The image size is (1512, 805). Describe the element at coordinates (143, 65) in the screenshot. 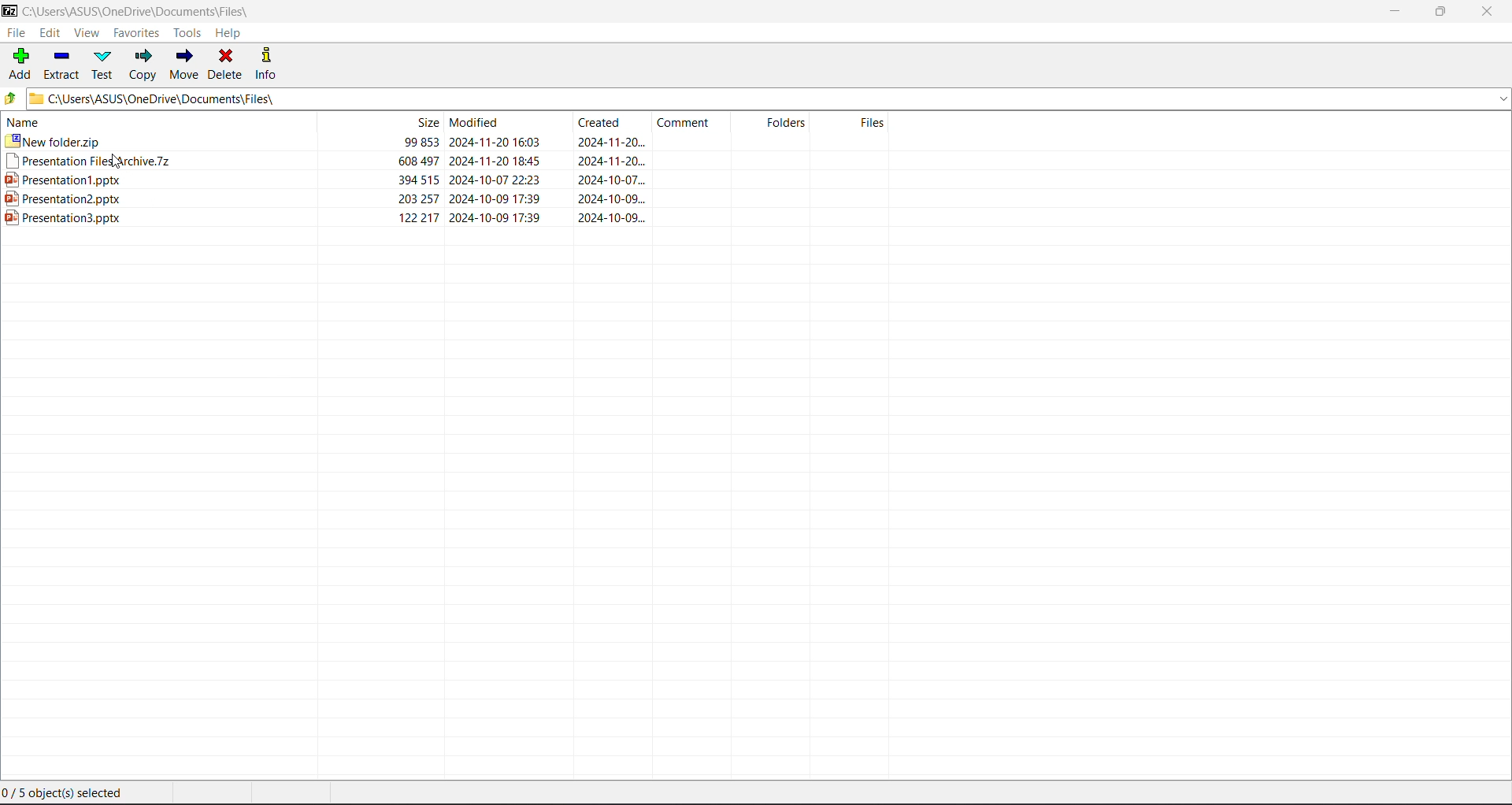

I see `Copy` at that location.